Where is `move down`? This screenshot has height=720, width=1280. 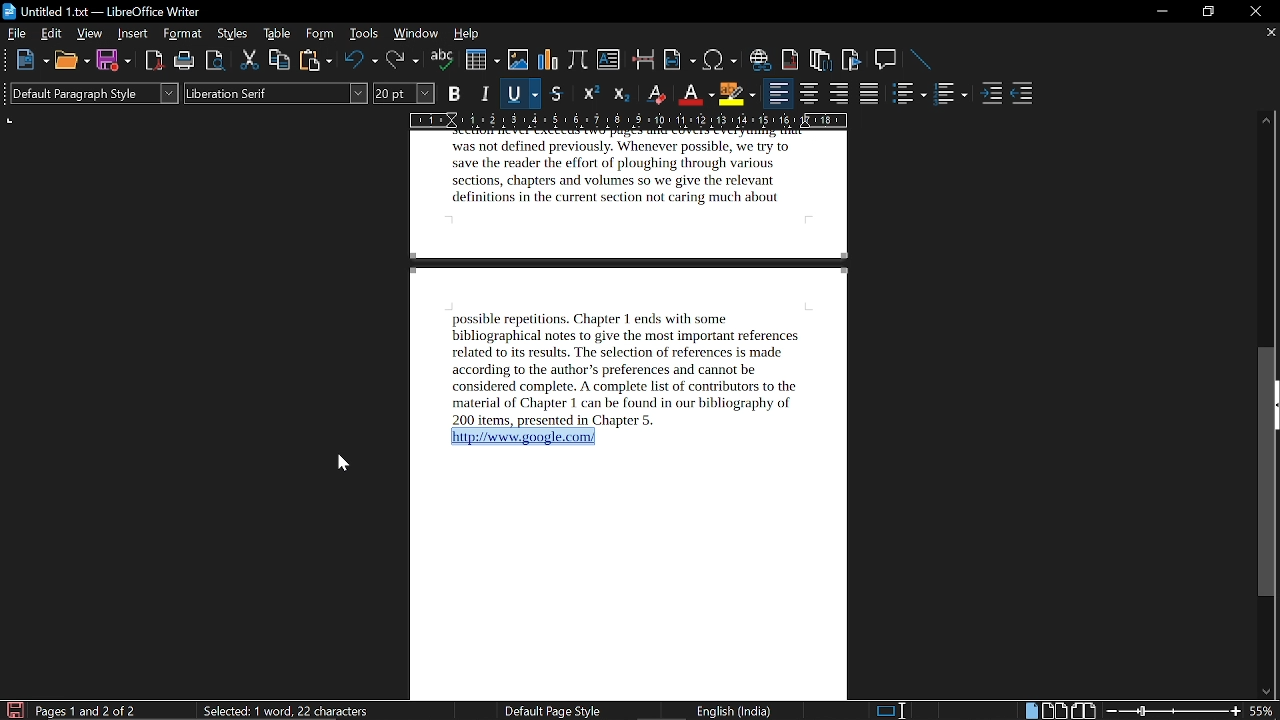 move down is located at coordinates (1267, 693).